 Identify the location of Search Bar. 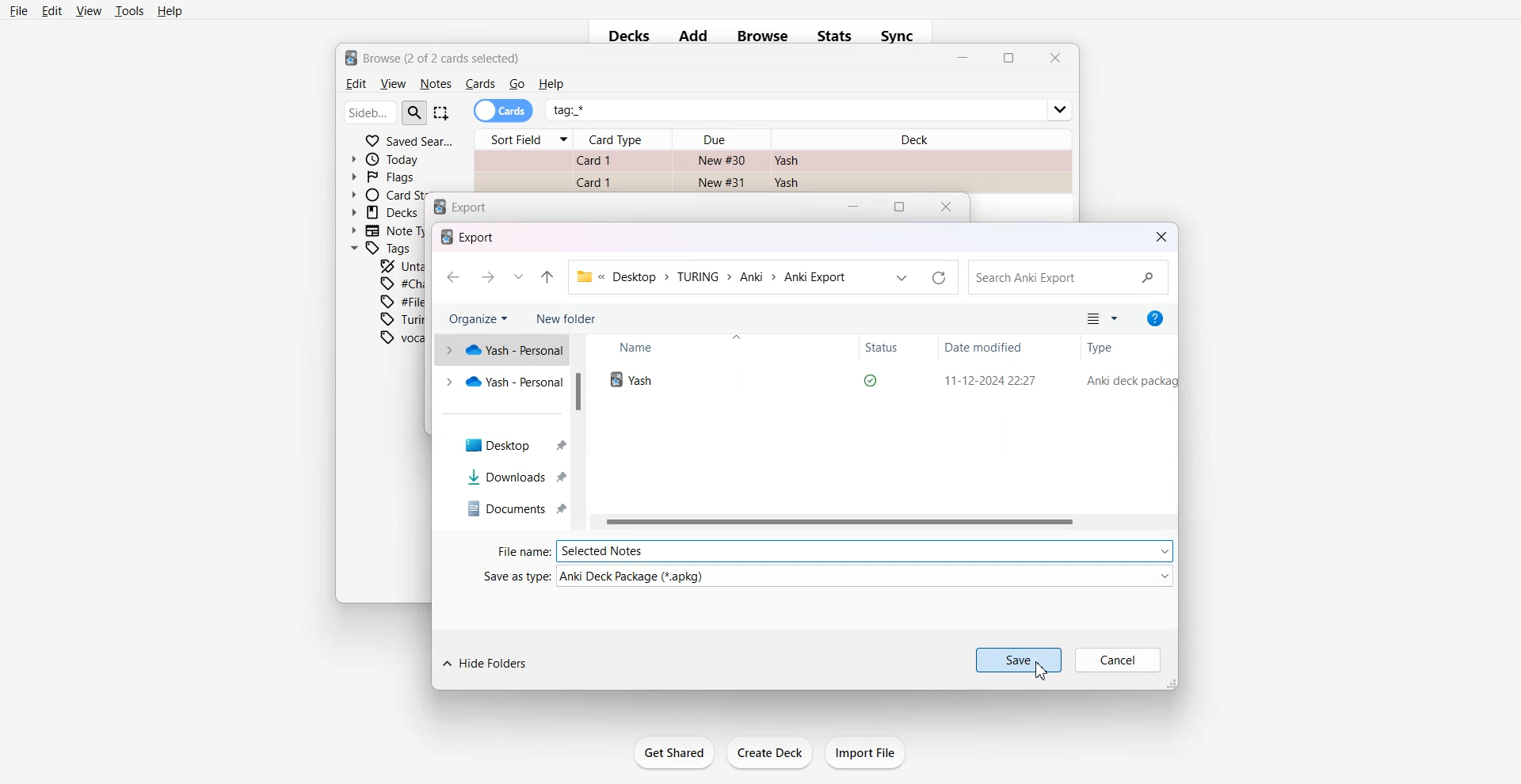
(1068, 277).